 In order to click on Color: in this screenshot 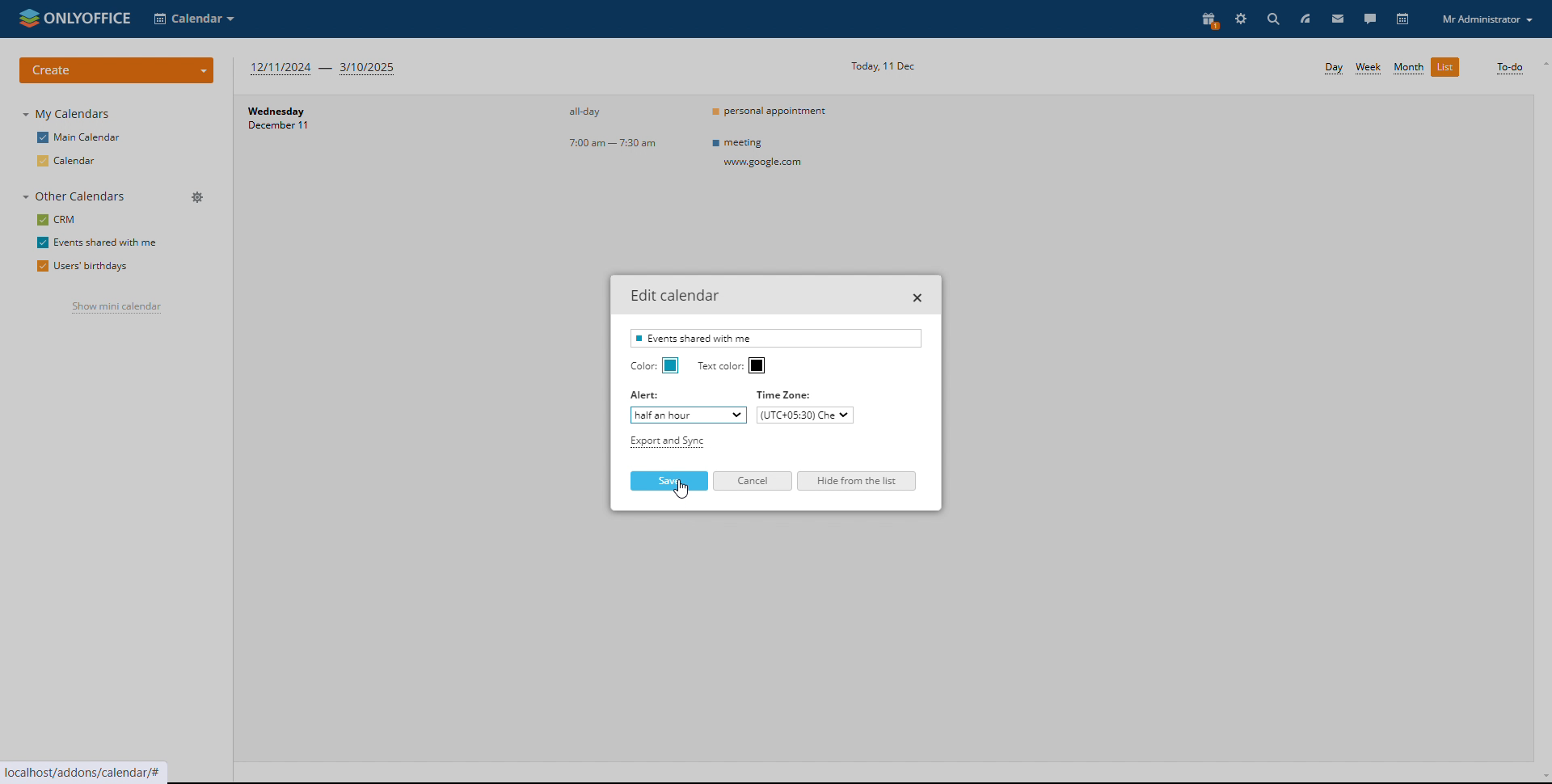, I will do `click(641, 366)`.